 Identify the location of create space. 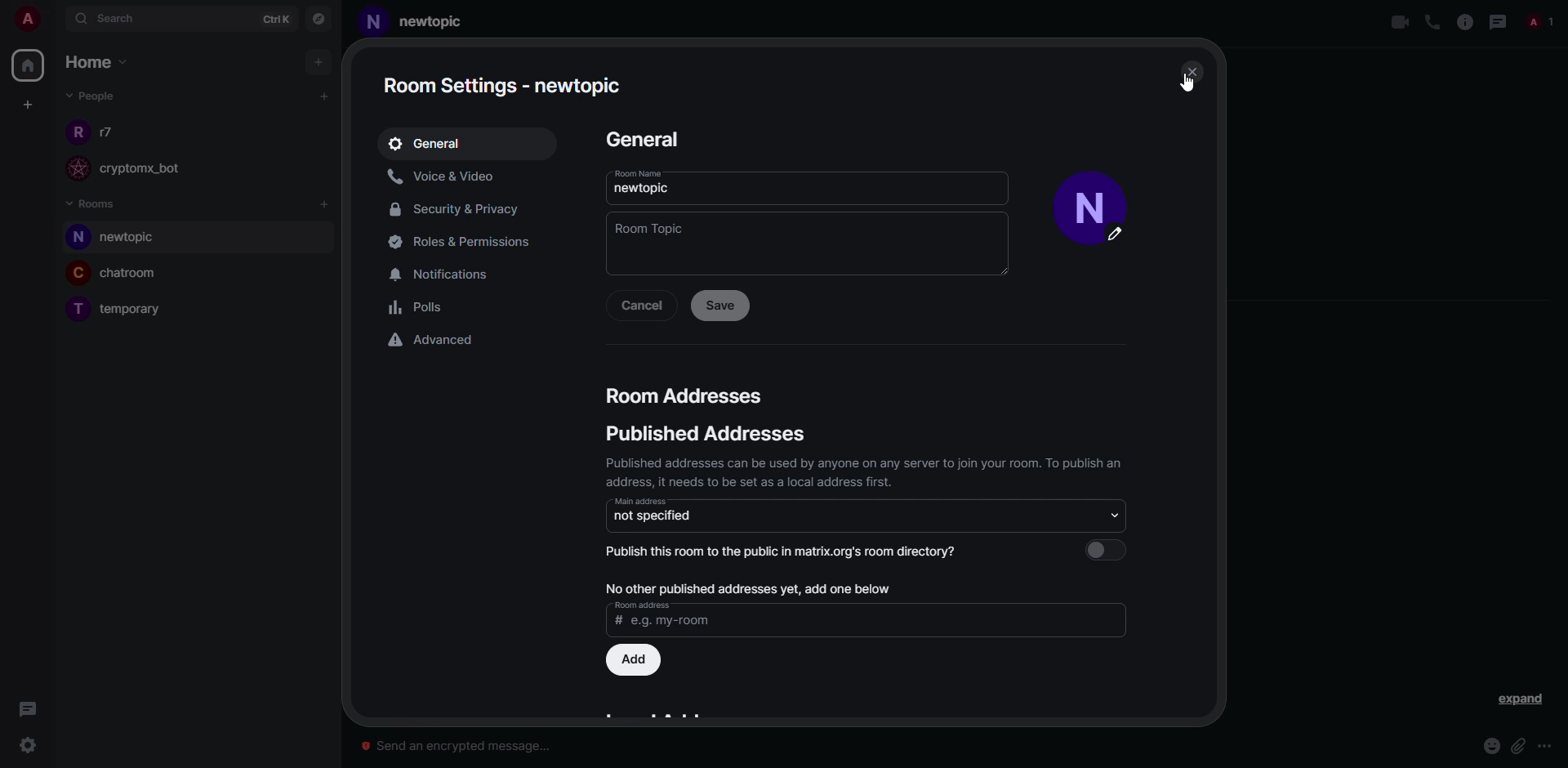
(28, 105).